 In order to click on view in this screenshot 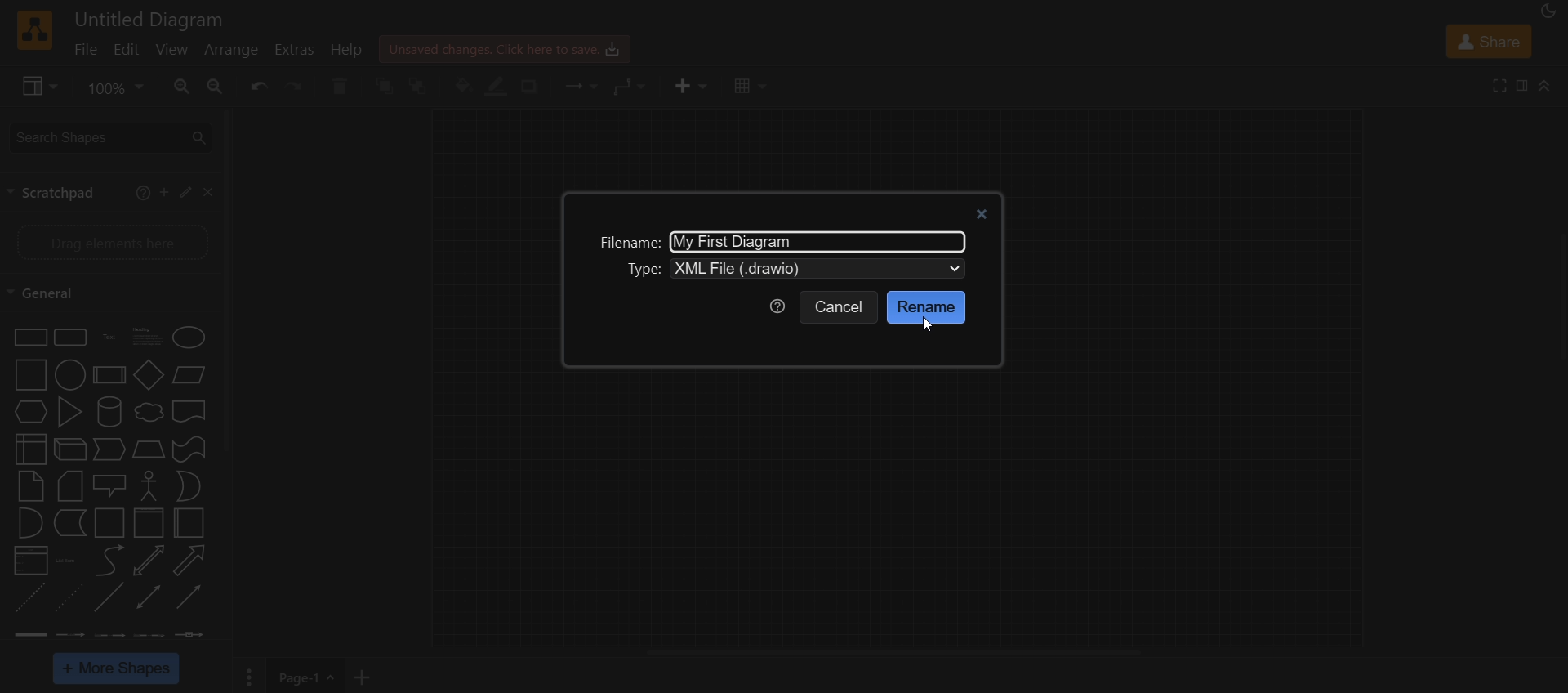, I will do `click(174, 51)`.